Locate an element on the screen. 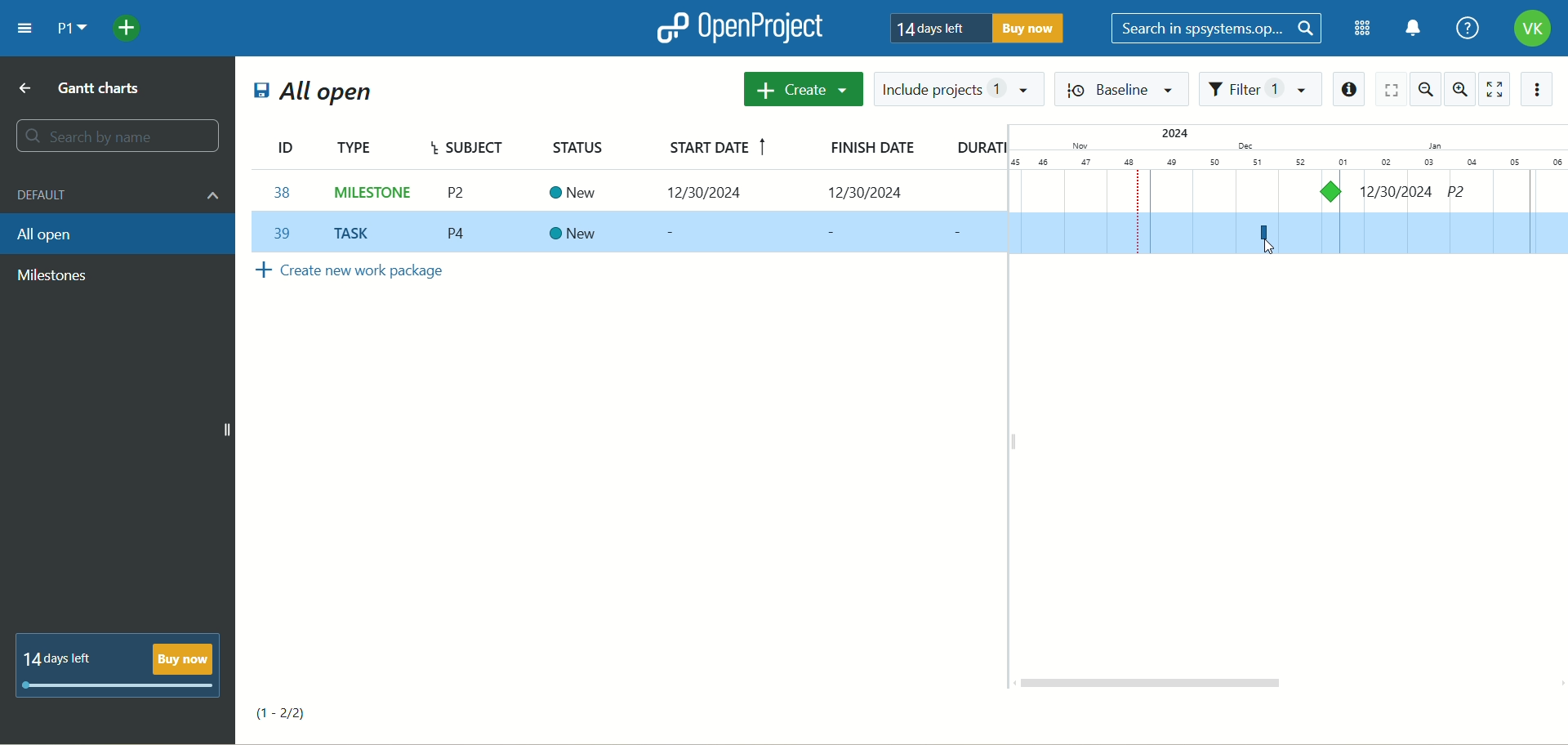  buy now is located at coordinates (1035, 31).